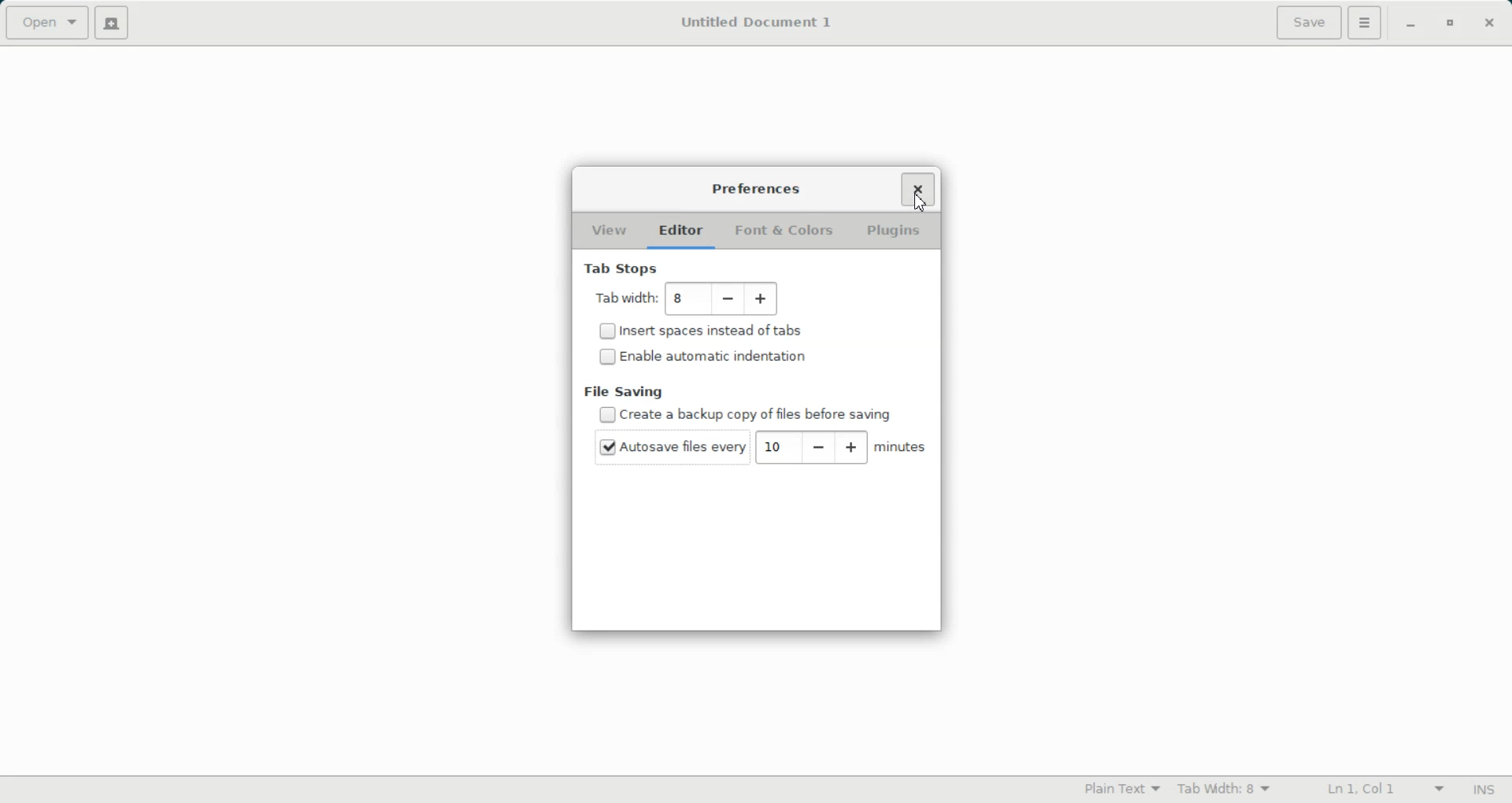 The image size is (1512, 803). I want to click on Minimize, so click(1410, 24).